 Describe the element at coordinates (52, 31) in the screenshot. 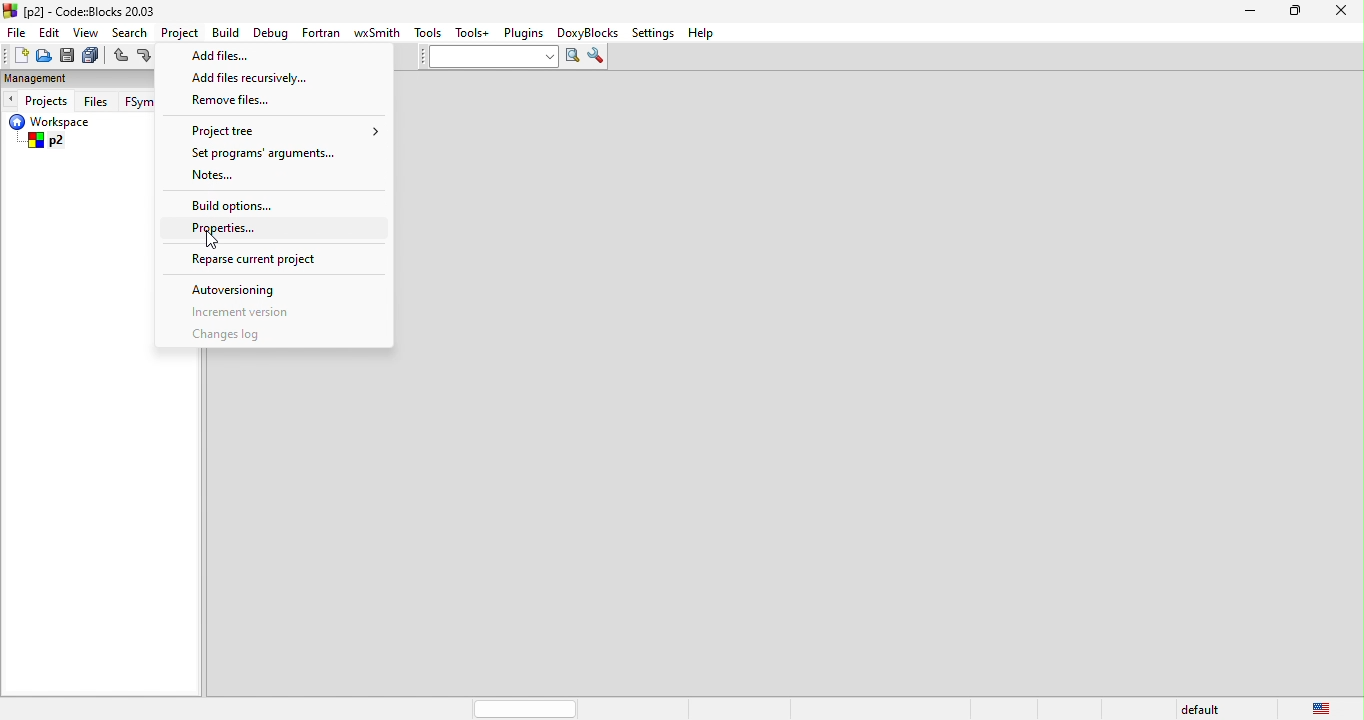

I see `edit` at that location.